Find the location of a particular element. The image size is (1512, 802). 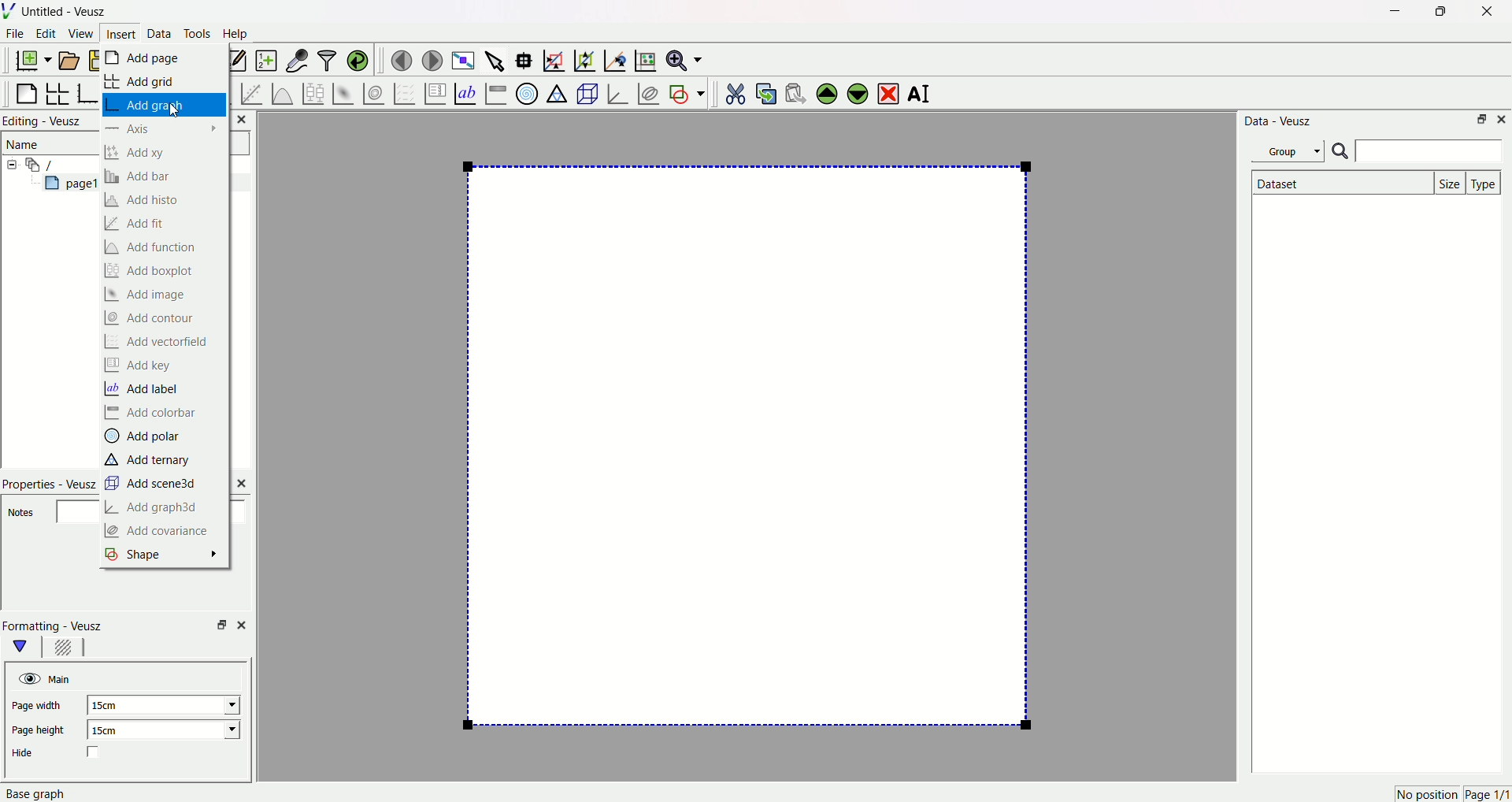

close is located at coordinates (242, 623).